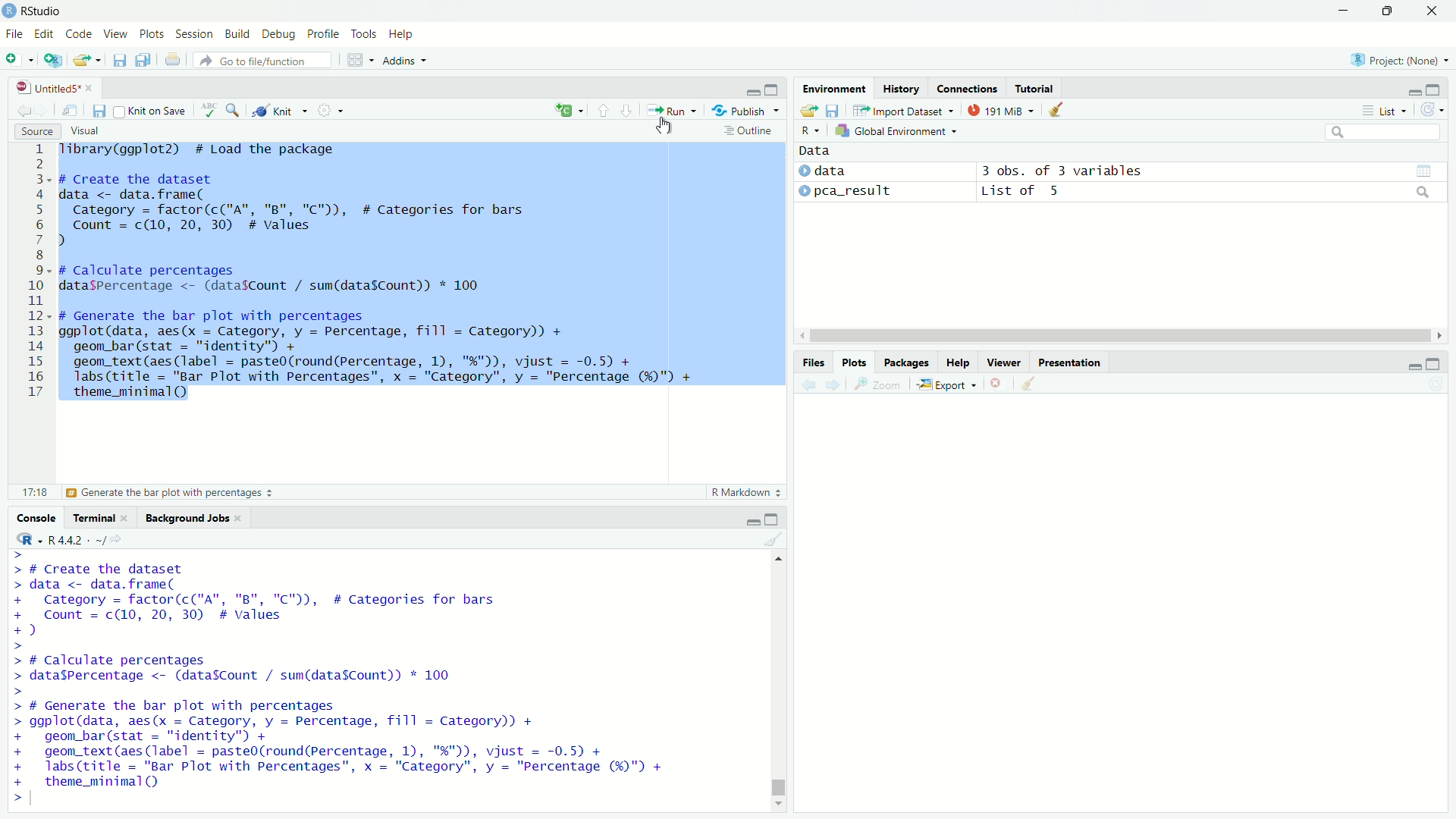  Describe the element at coordinates (100, 111) in the screenshot. I see `save current document` at that location.